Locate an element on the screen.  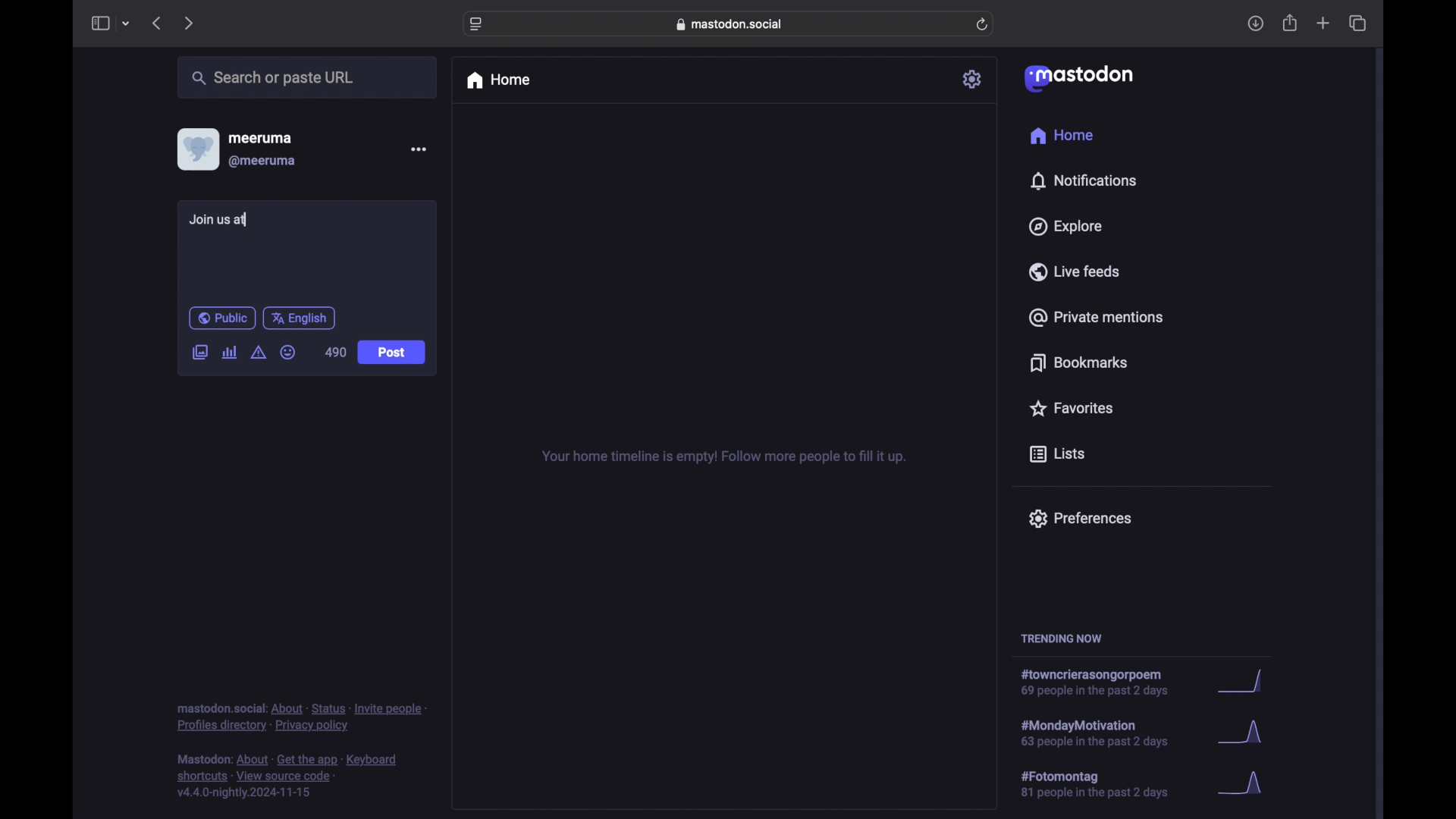
live feeds is located at coordinates (1075, 271).